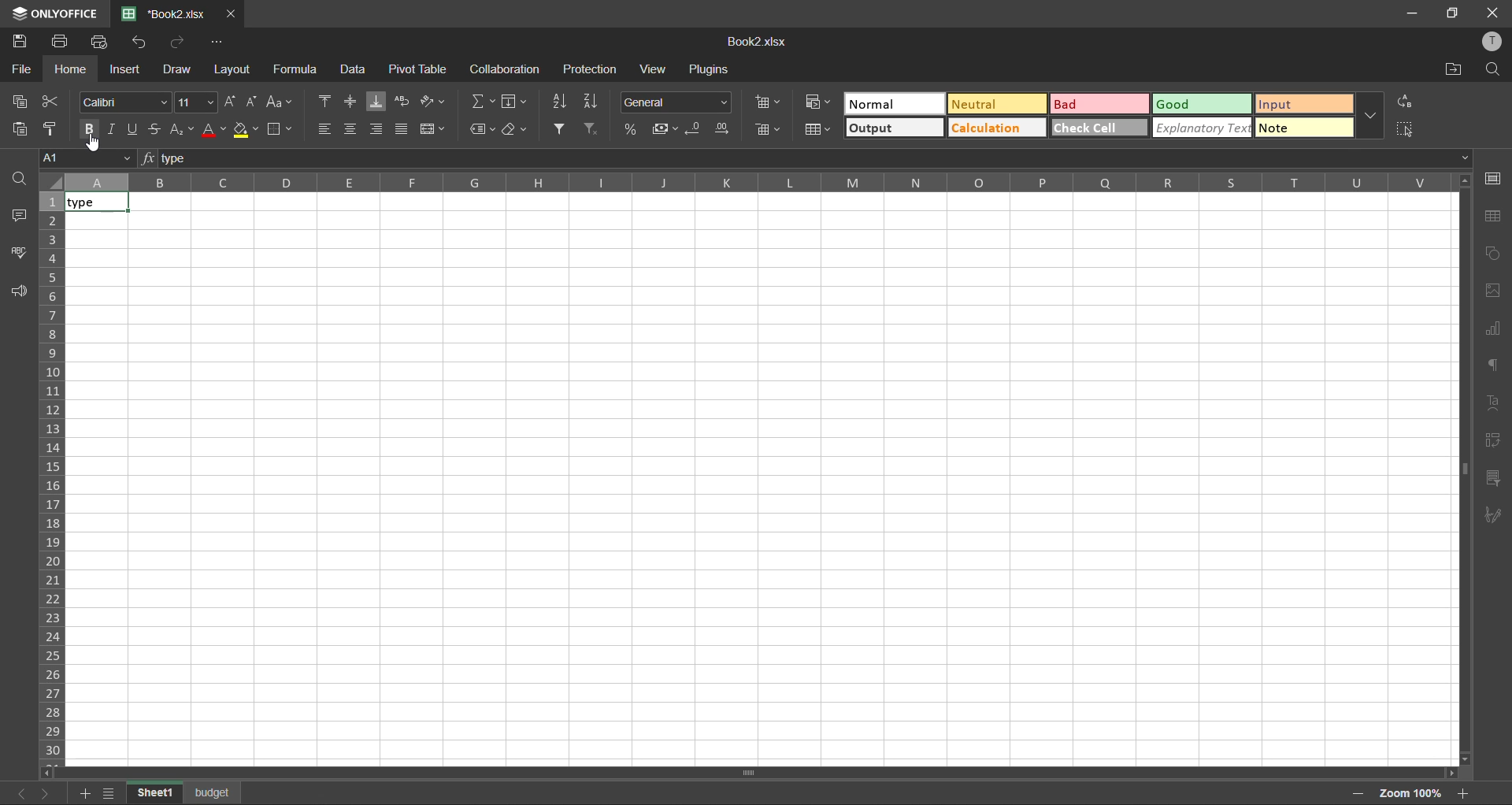 The height and width of the screenshot is (805, 1512). I want to click on fill color, so click(245, 130).